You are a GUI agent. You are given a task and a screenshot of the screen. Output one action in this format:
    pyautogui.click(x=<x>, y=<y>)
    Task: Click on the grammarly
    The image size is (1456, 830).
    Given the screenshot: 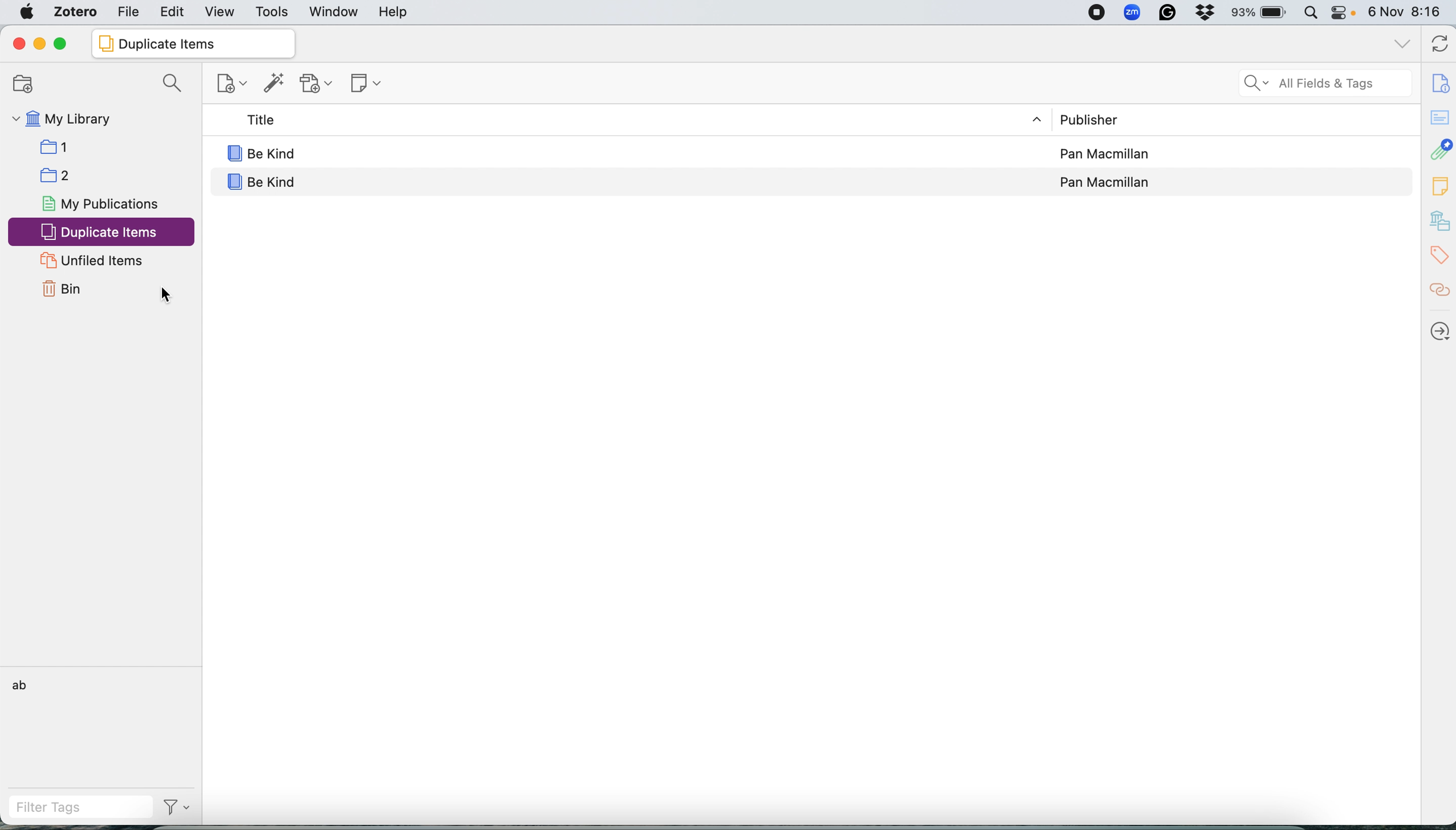 What is the action you would take?
    pyautogui.click(x=1169, y=13)
    